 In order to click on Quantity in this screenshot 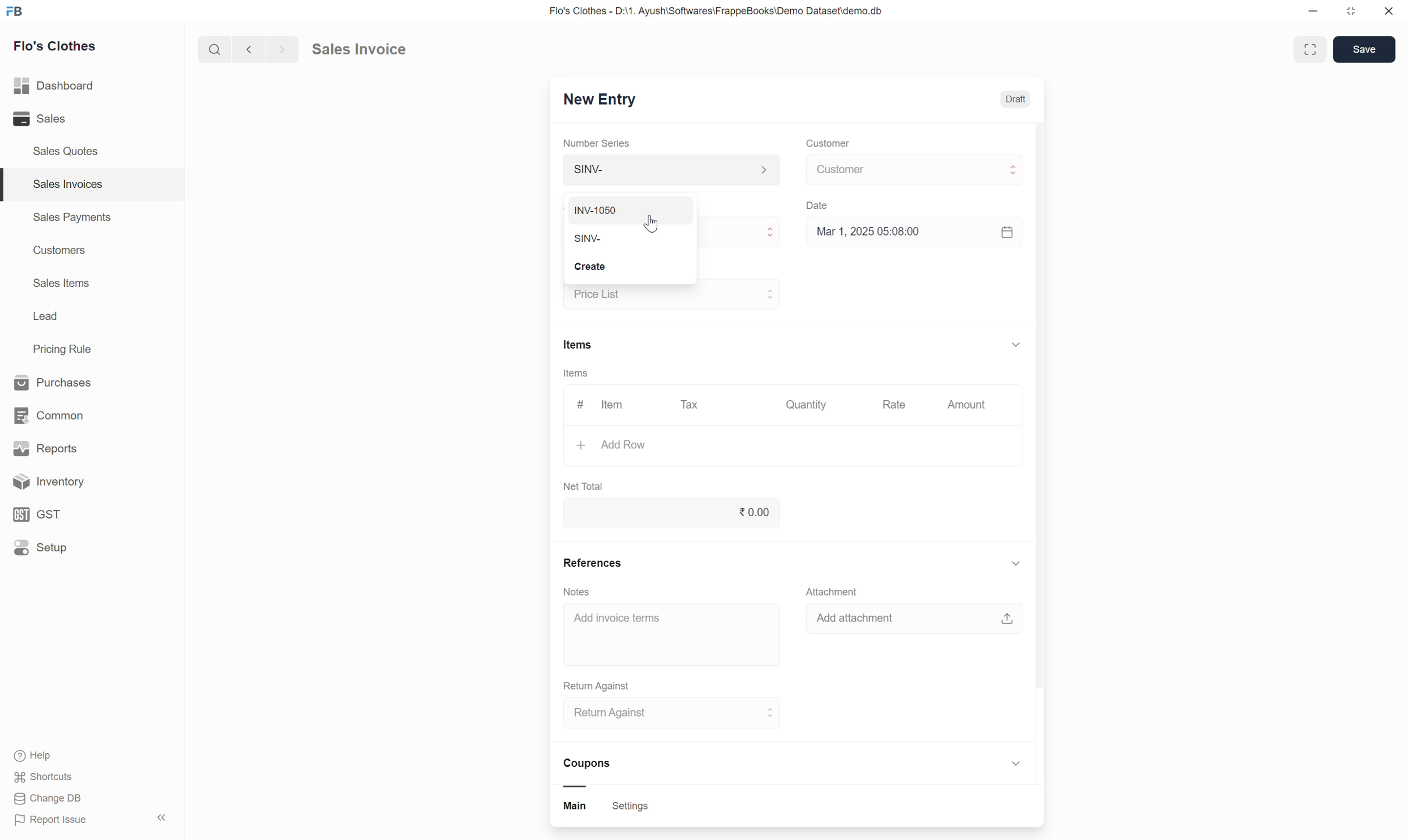, I will do `click(810, 406)`.